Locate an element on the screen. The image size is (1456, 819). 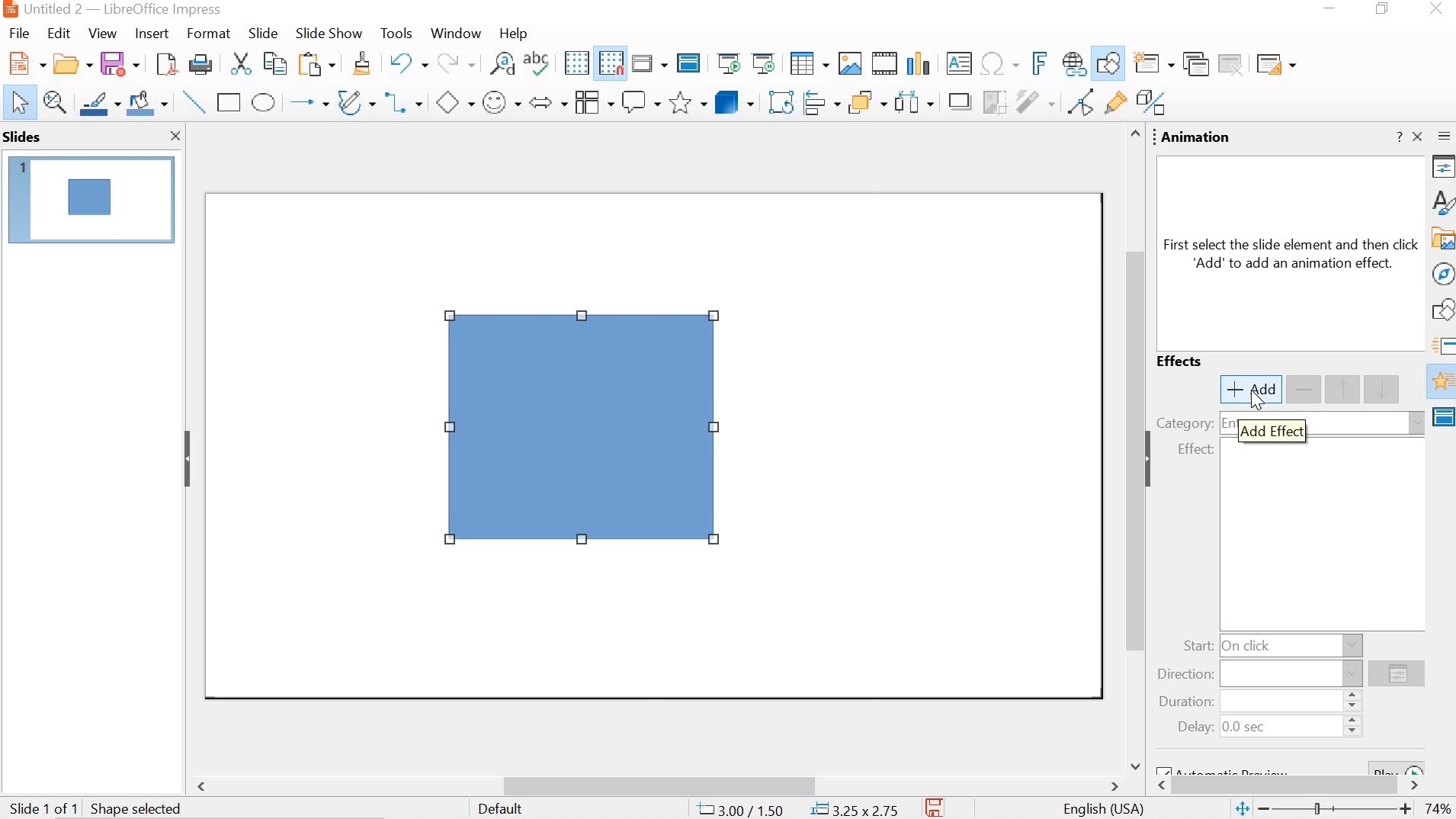
view is located at coordinates (100, 34).